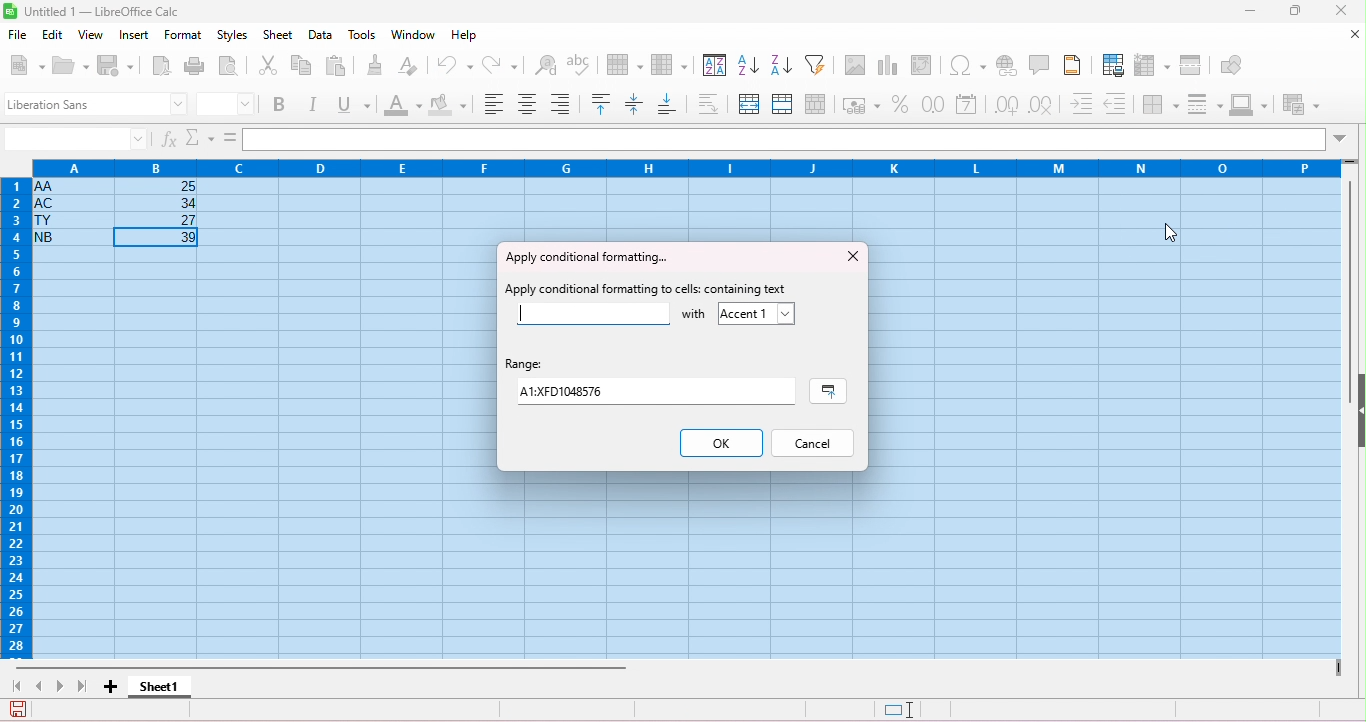 This screenshot has height=722, width=1366. I want to click on tools, so click(361, 35).